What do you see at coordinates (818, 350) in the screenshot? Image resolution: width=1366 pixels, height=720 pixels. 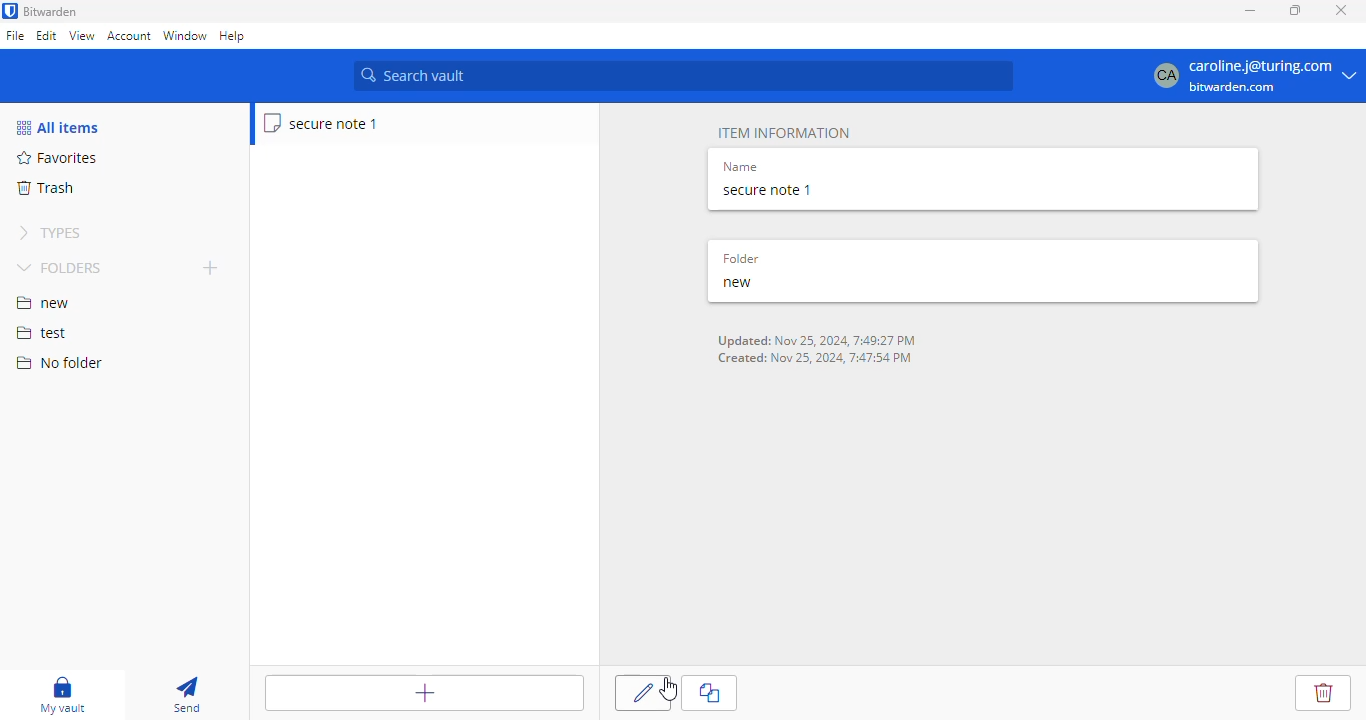 I see `updated and created date & time` at bounding box center [818, 350].